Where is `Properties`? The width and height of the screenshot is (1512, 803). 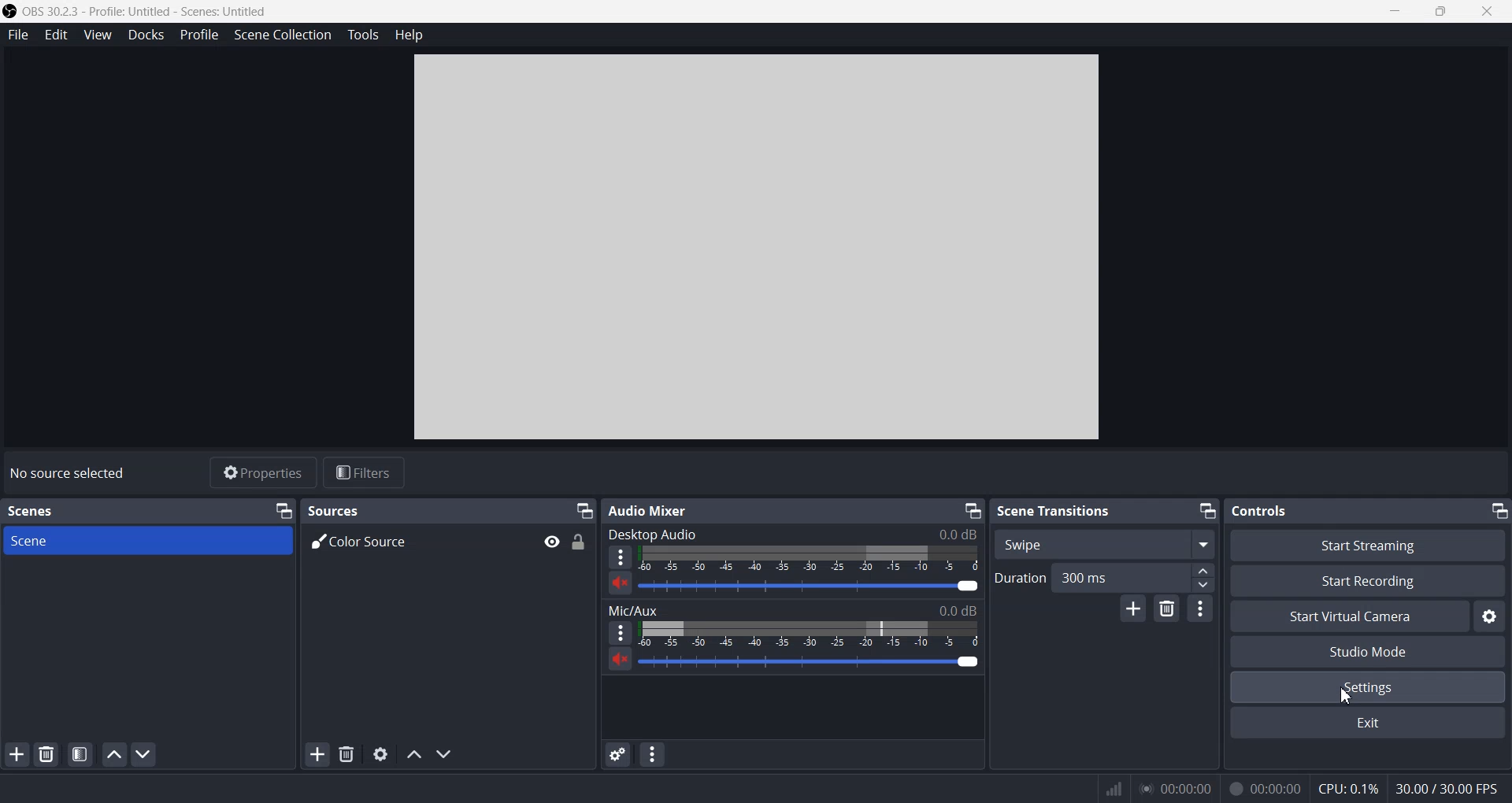 Properties is located at coordinates (261, 473).